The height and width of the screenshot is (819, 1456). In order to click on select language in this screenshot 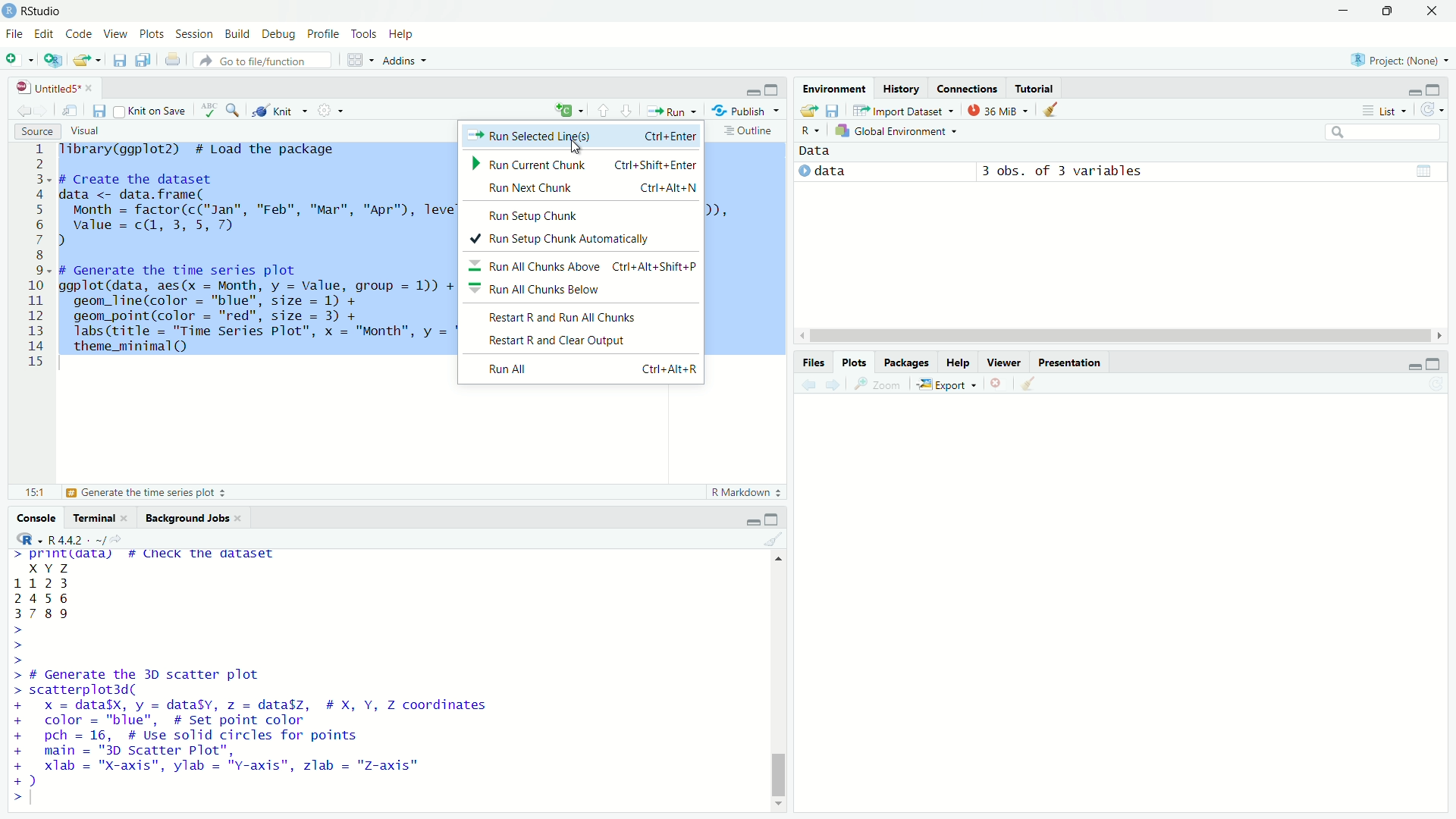, I will do `click(23, 540)`.